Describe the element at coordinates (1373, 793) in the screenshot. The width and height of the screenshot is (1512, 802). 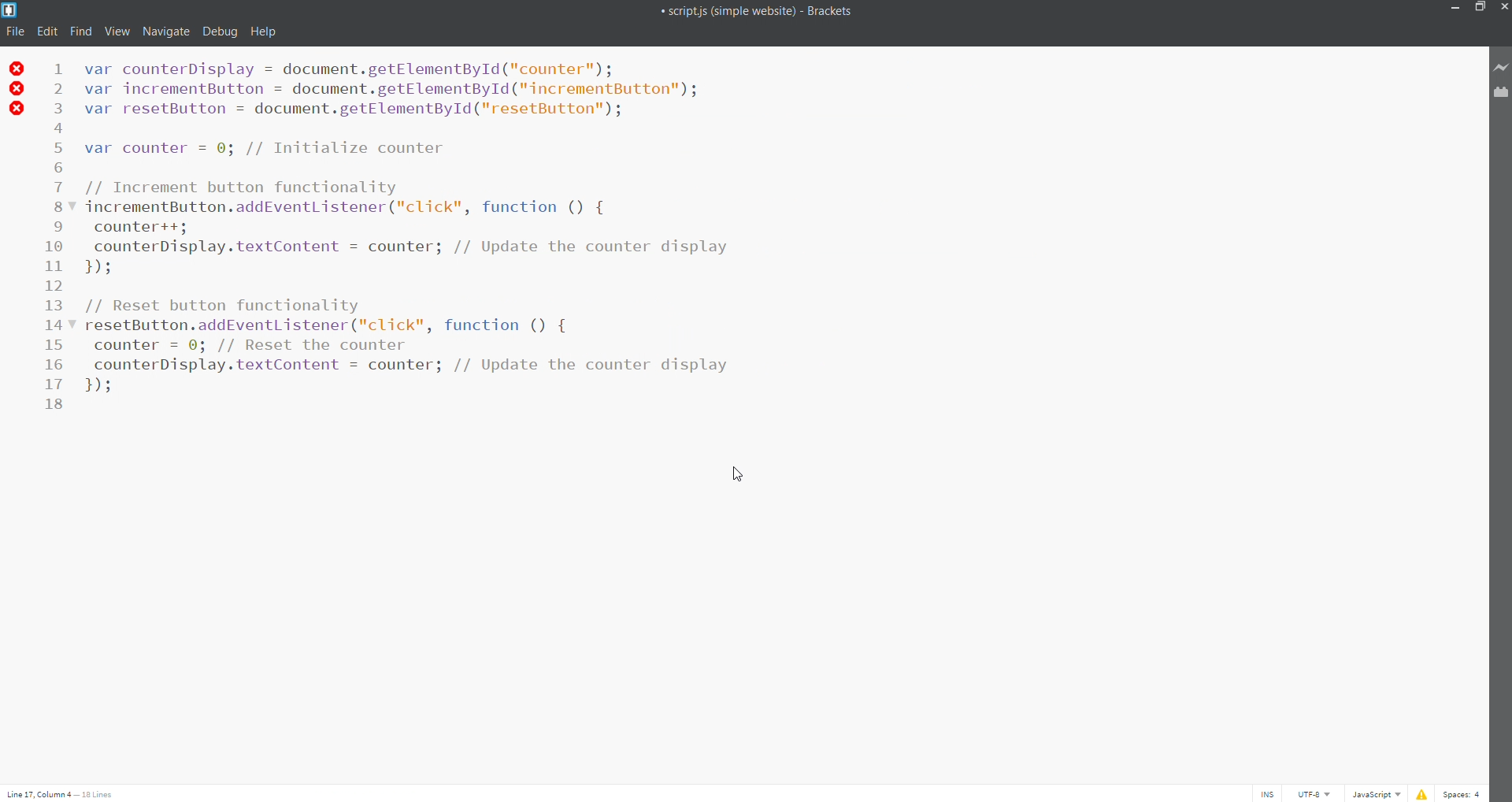
I see `file type - javascript` at that location.